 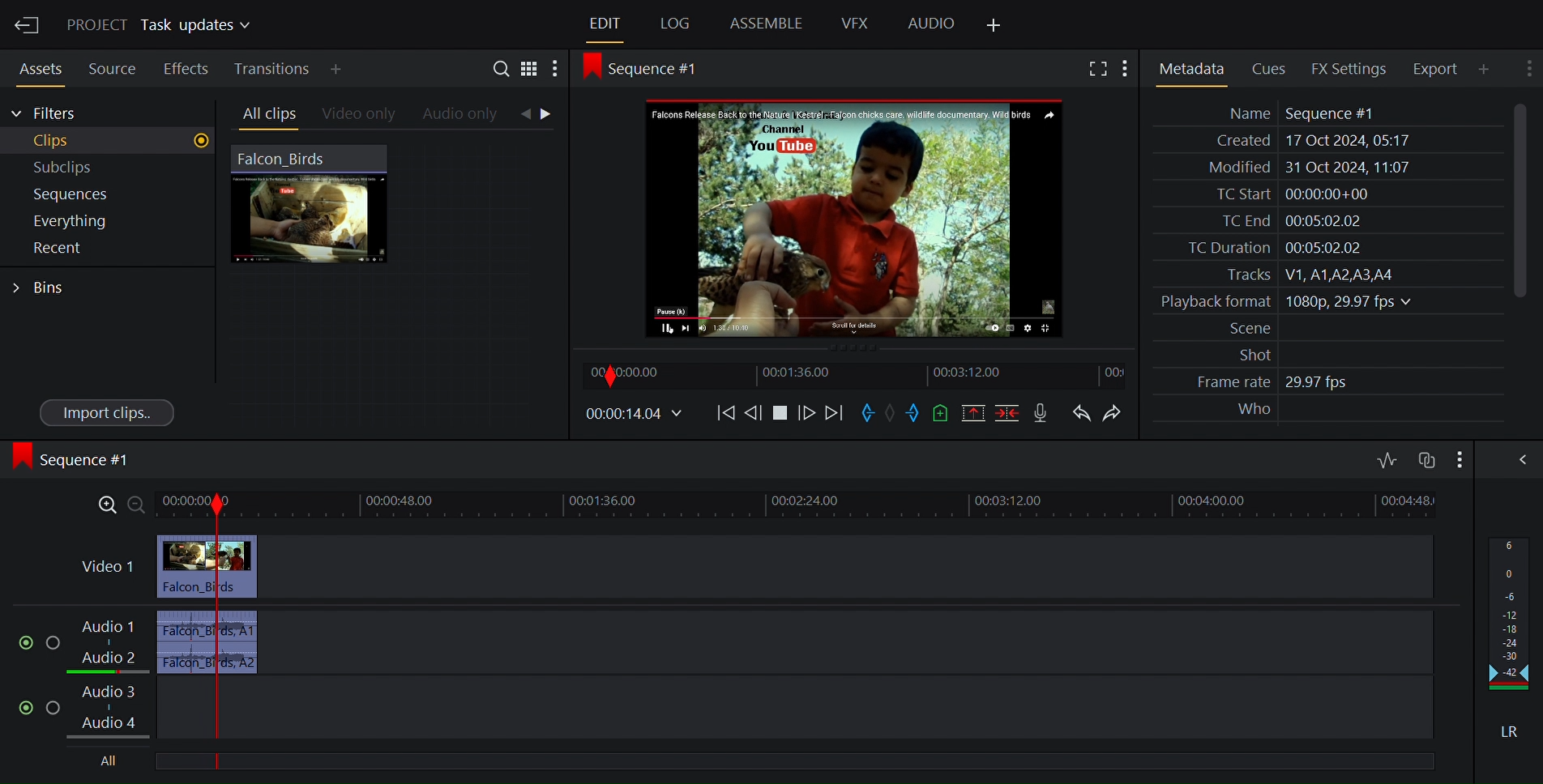 What do you see at coordinates (831, 413) in the screenshot?
I see `Move Forward` at bounding box center [831, 413].